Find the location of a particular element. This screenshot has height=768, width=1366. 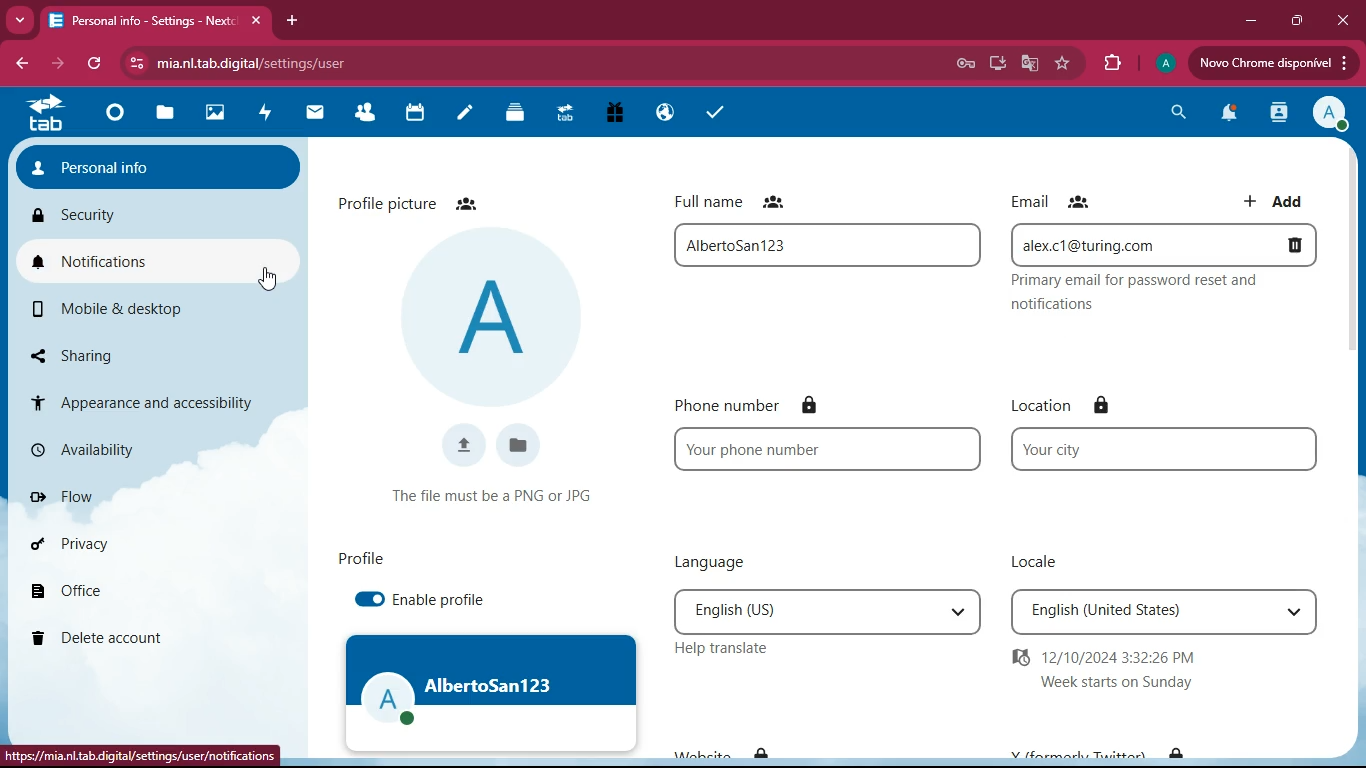

tab is located at coordinates (46, 114).